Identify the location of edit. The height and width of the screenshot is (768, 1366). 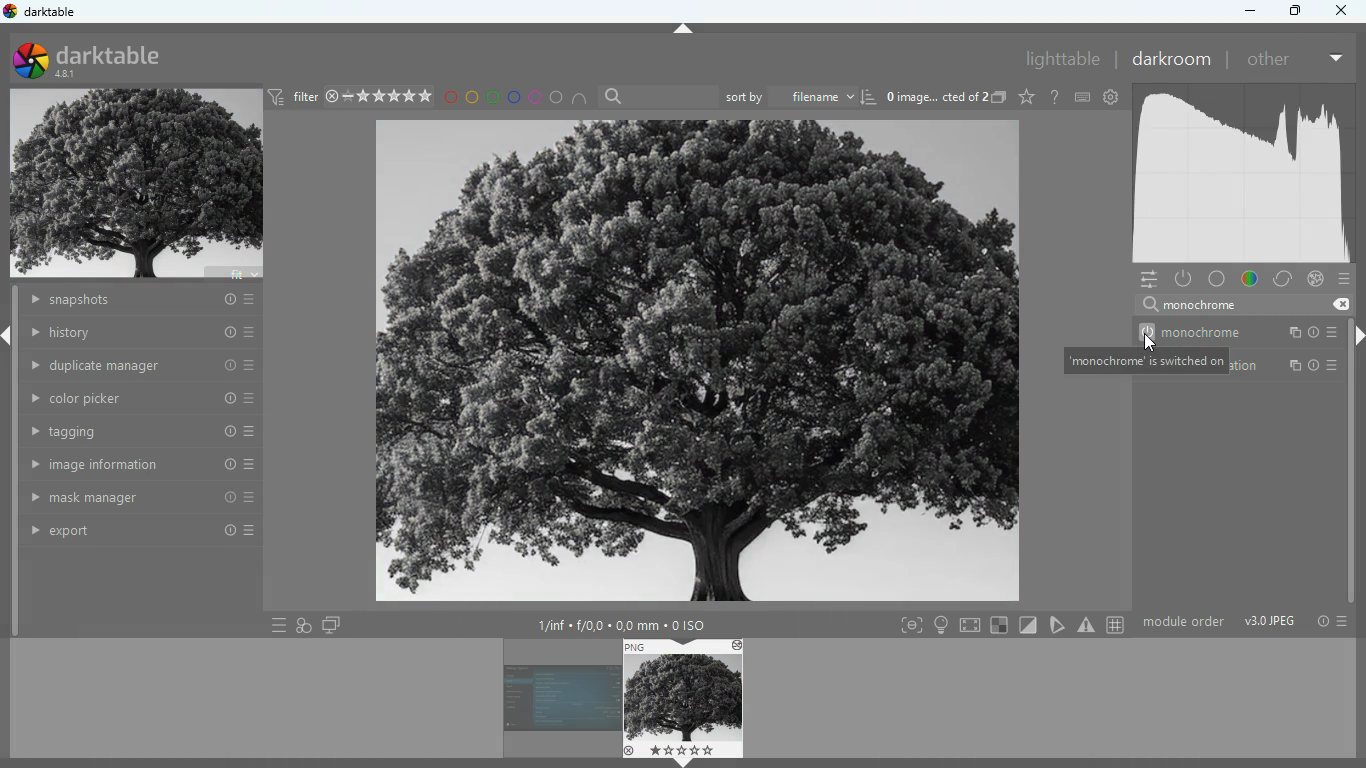
(1059, 625).